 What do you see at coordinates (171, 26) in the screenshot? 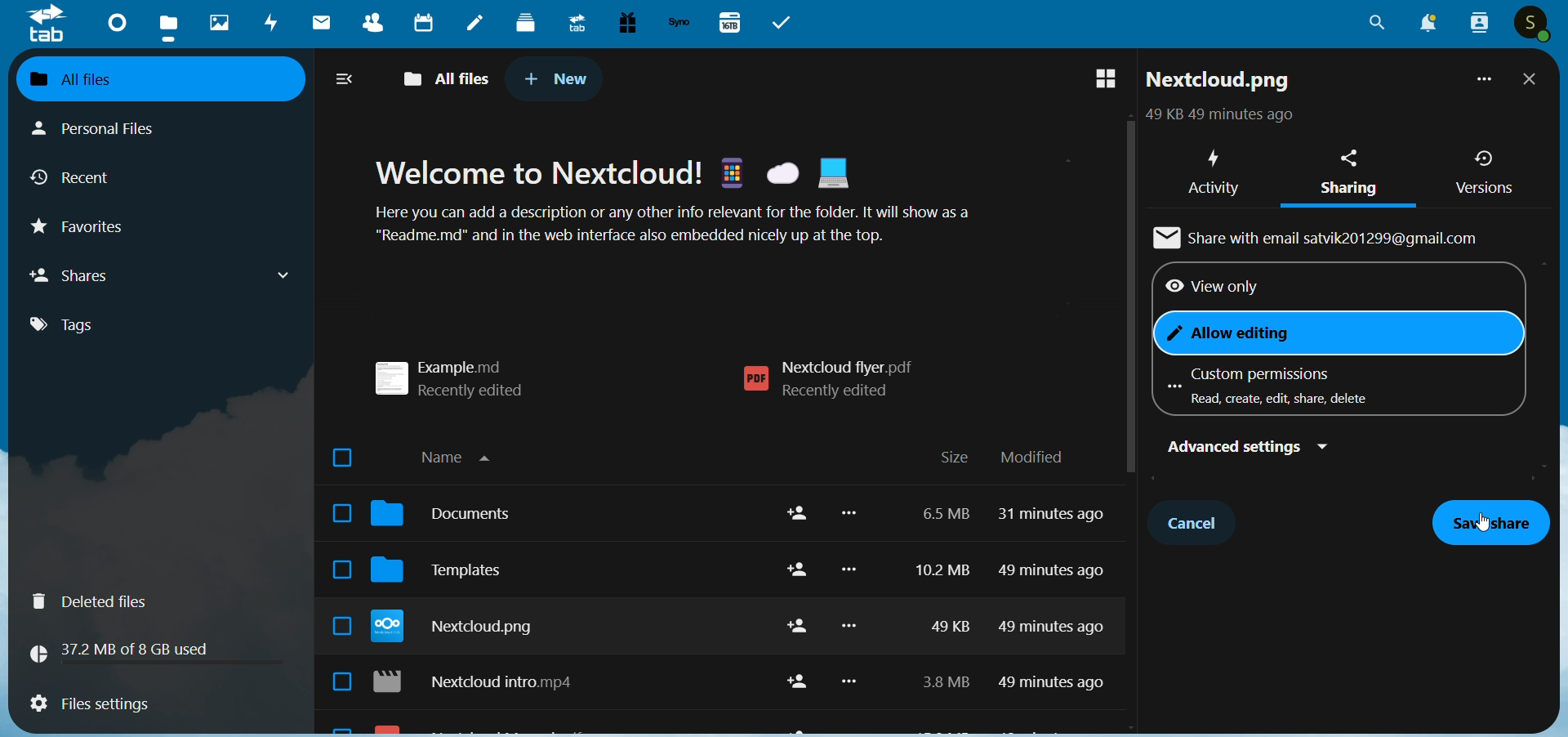
I see `files` at bounding box center [171, 26].